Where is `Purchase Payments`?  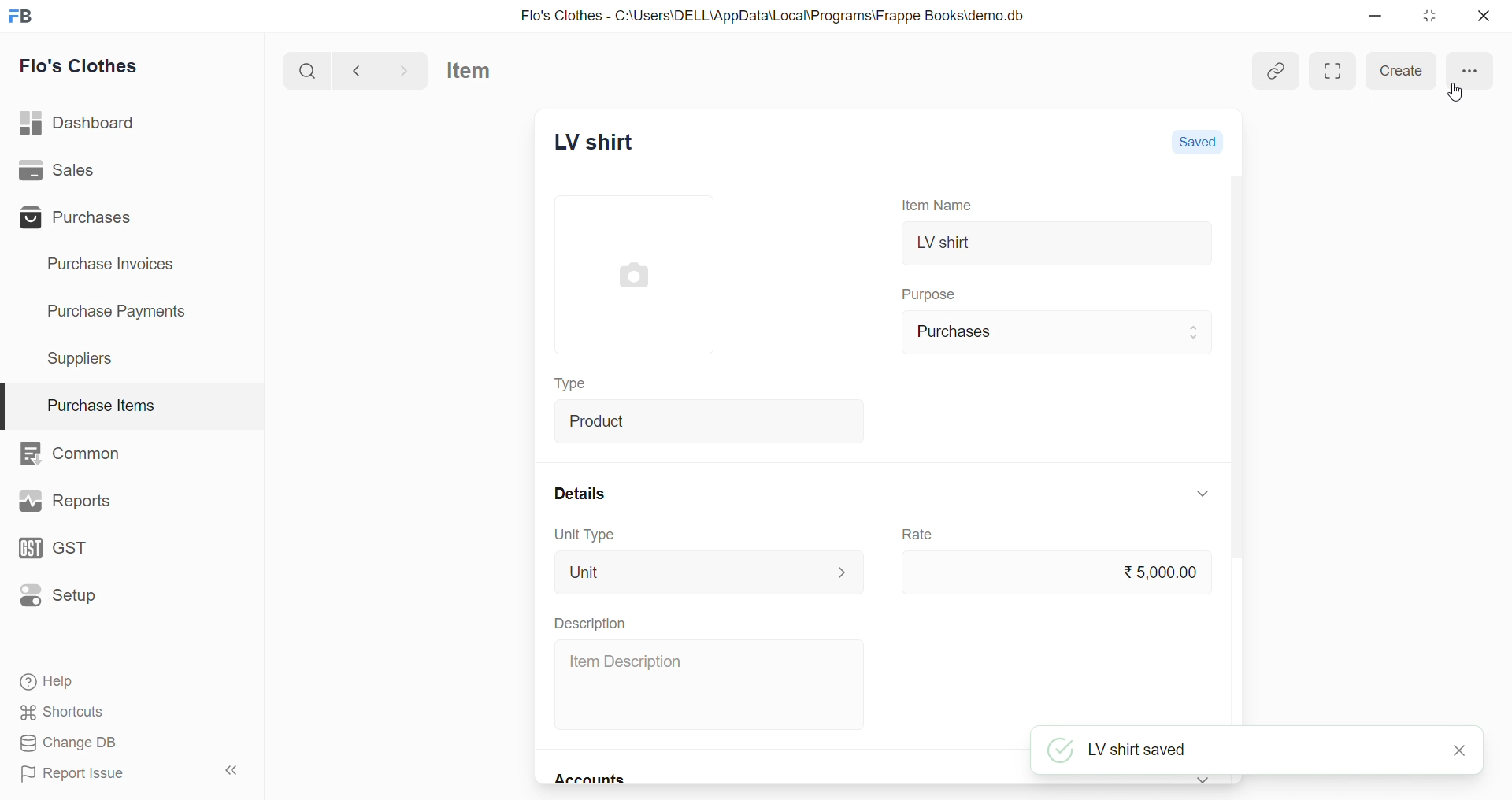
Purchase Payments is located at coordinates (122, 312).